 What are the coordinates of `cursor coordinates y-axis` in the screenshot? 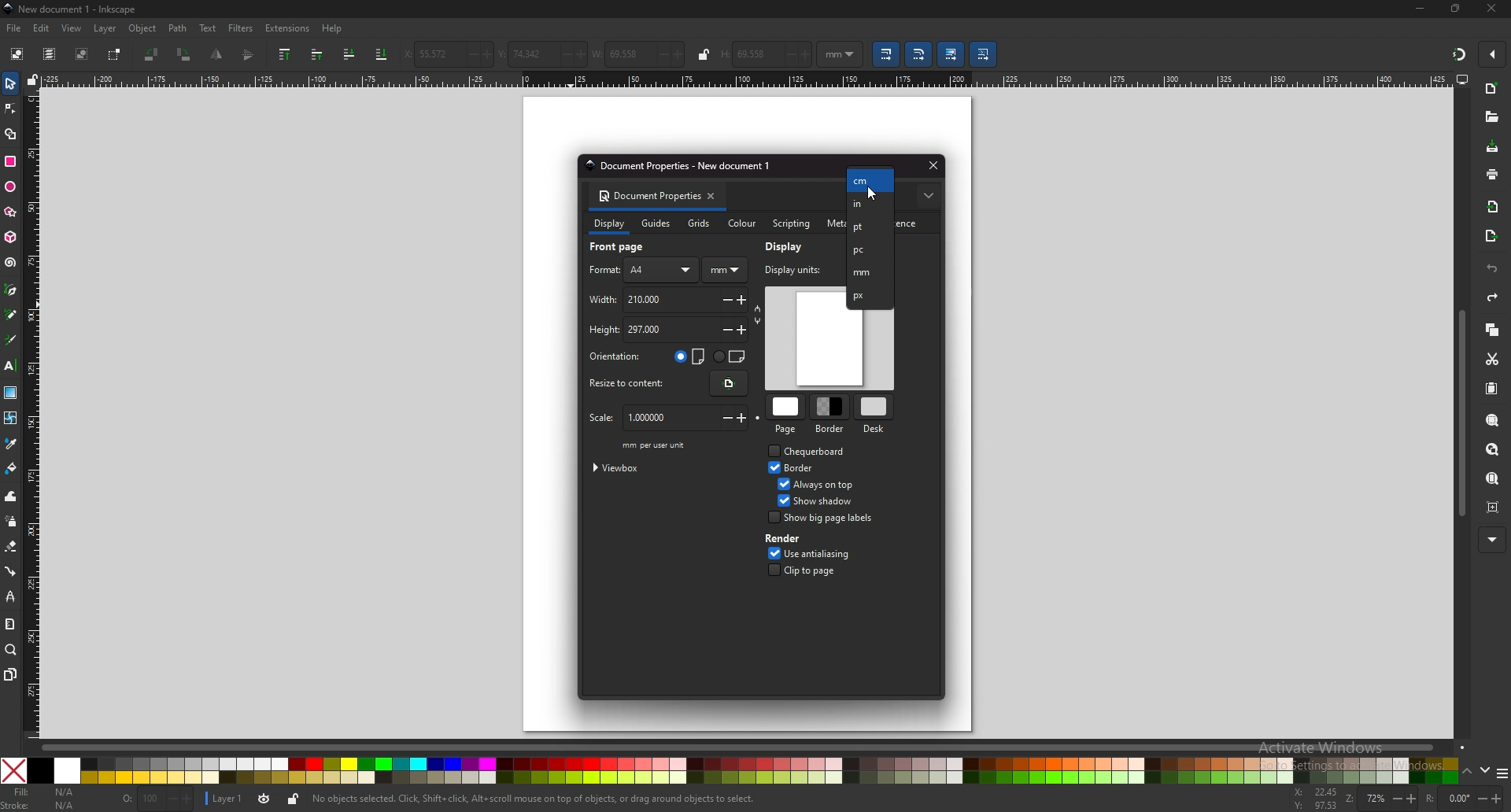 It's located at (1312, 806).